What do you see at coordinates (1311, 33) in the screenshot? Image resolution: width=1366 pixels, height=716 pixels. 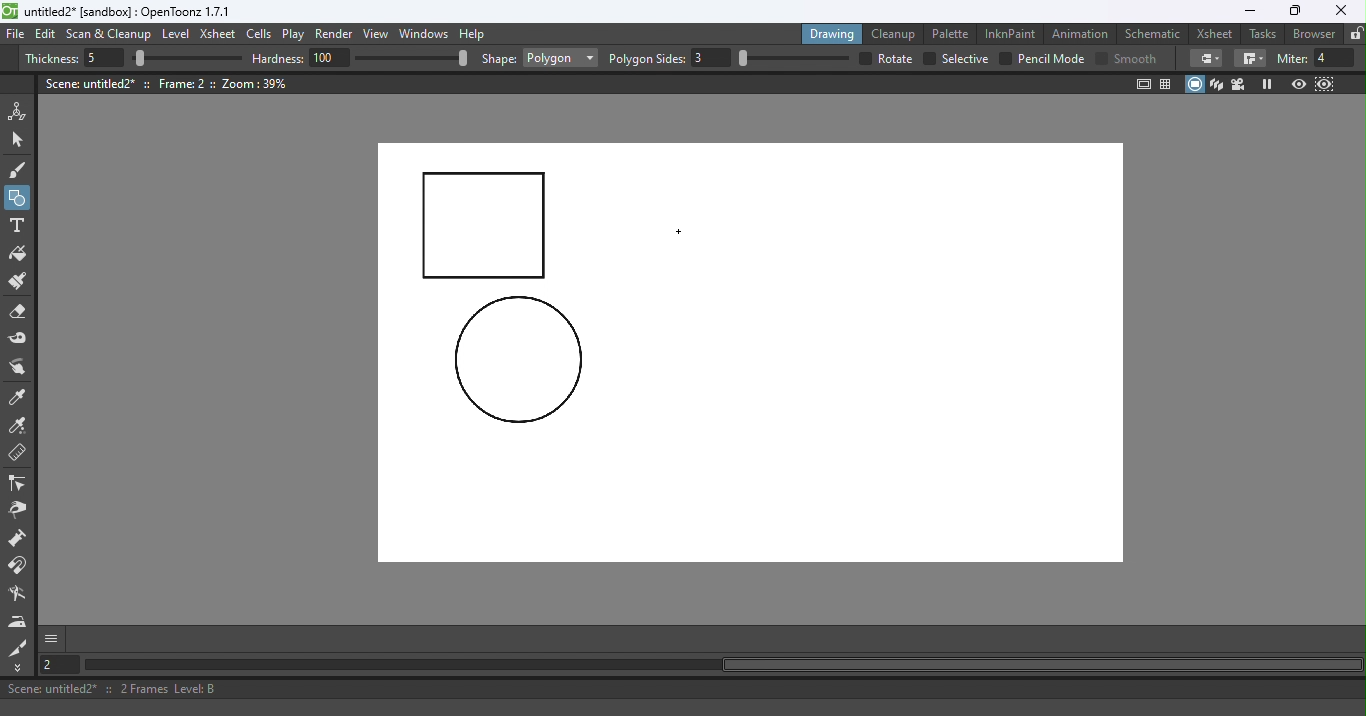 I see `Browser` at bounding box center [1311, 33].